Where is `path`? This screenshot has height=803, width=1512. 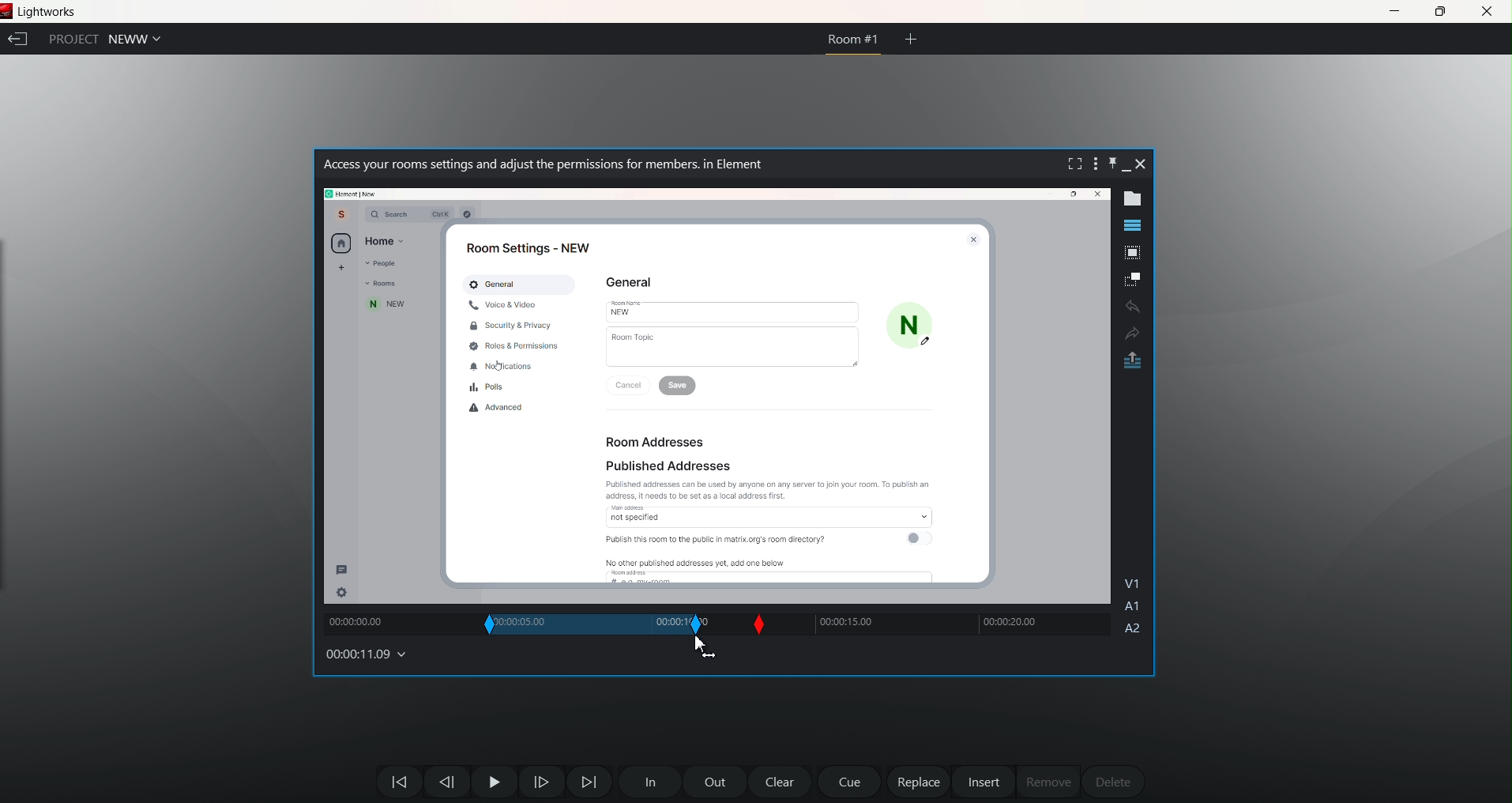 path is located at coordinates (351, 193).